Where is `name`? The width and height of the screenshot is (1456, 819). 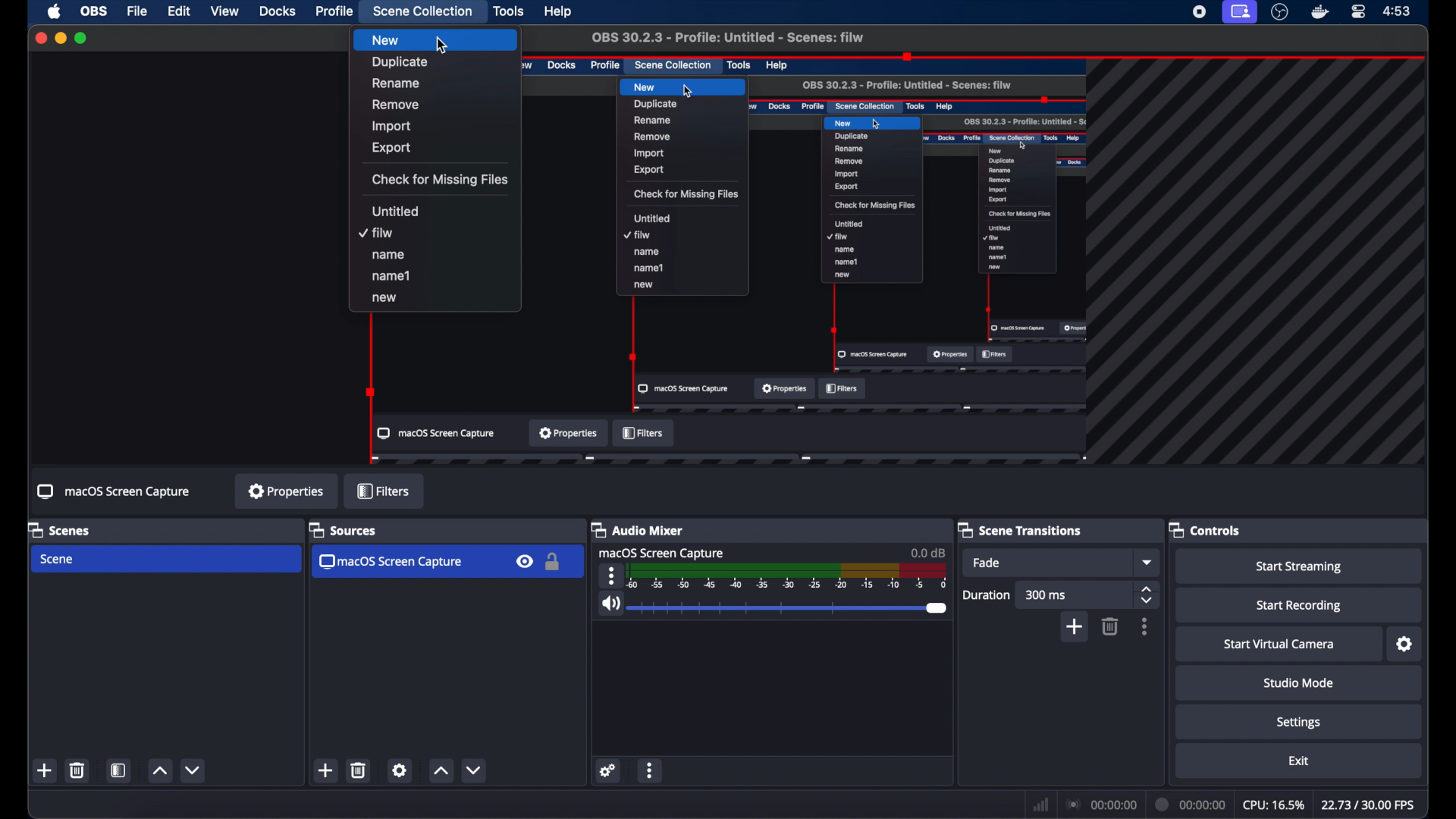
name is located at coordinates (389, 255).